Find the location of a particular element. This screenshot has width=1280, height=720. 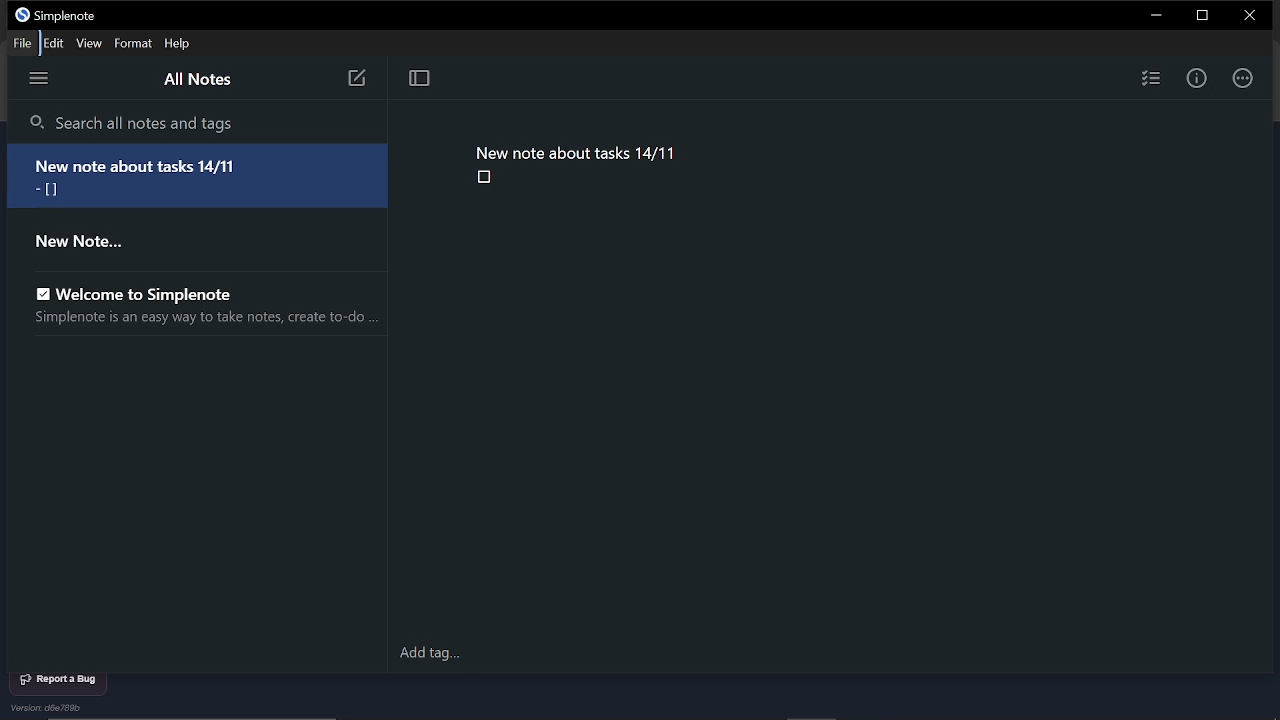

Minimize is located at coordinates (1156, 16).